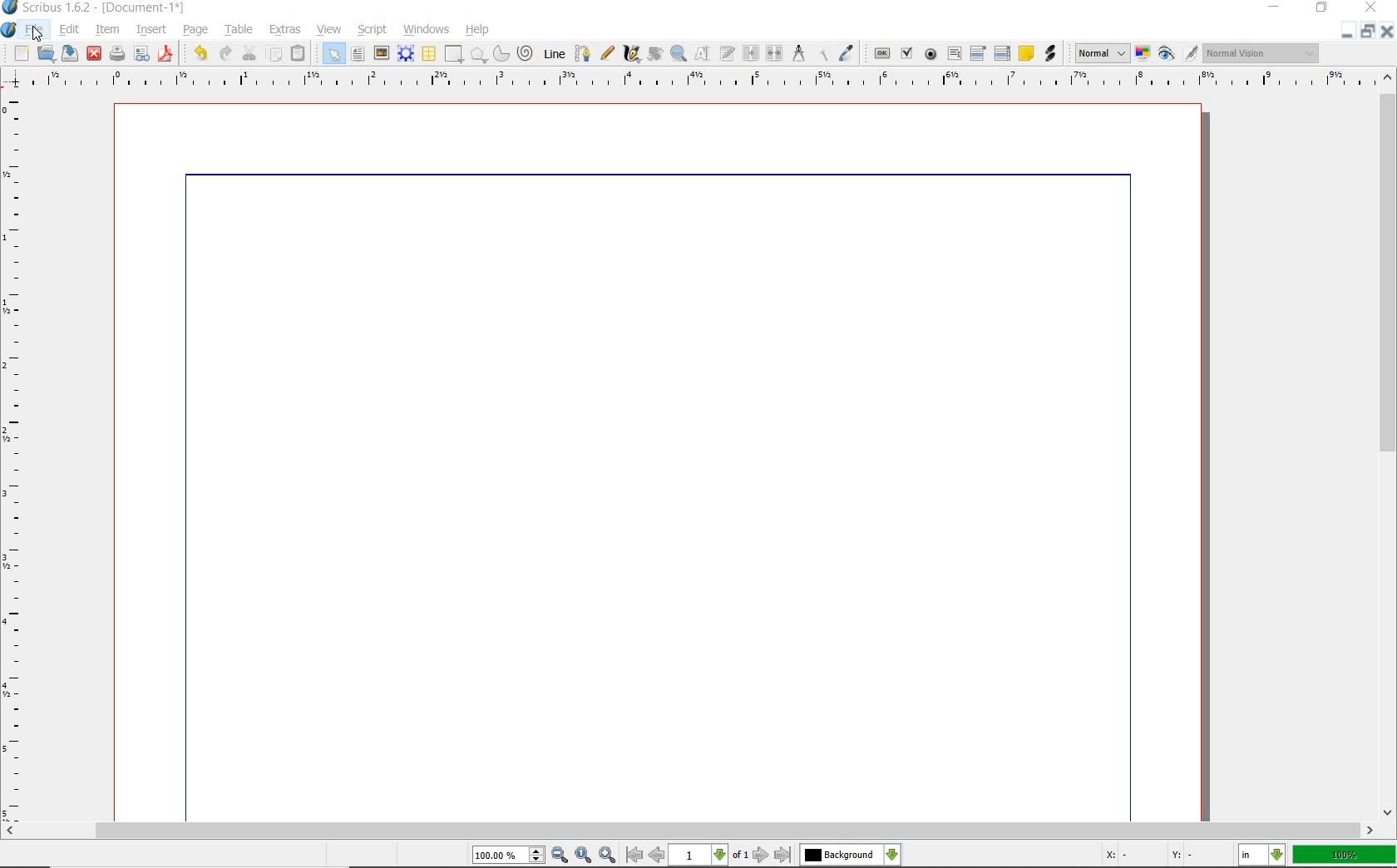 This screenshot has width=1397, height=868. What do you see at coordinates (1179, 54) in the screenshot?
I see `preview mode` at bounding box center [1179, 54].